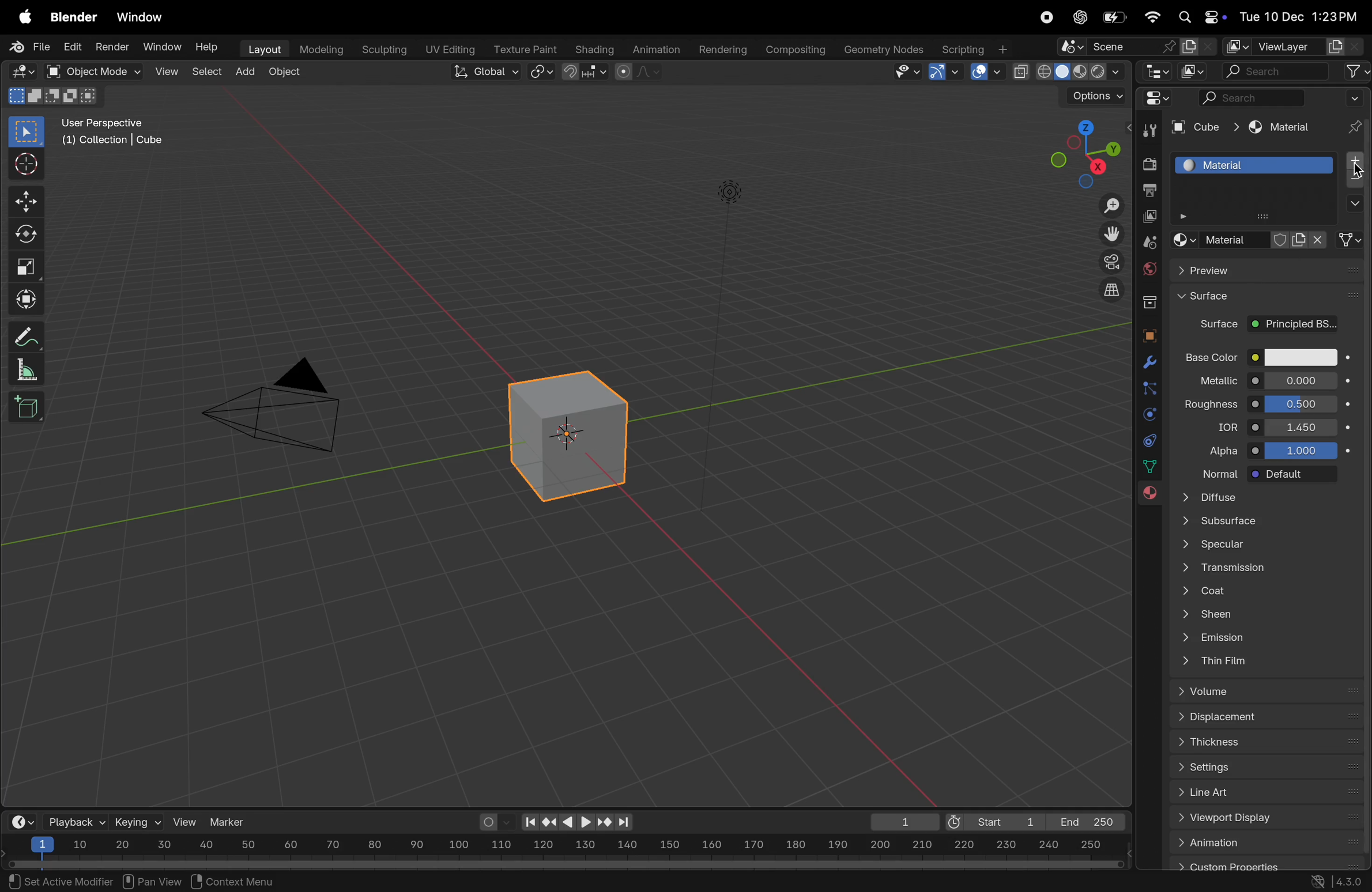 The width and height of the screenshot is (1372, 892). What do you see at coordinates (1352, 182) in the screenshot?
I see `subtarct material` at bounding box center [1352, 182].